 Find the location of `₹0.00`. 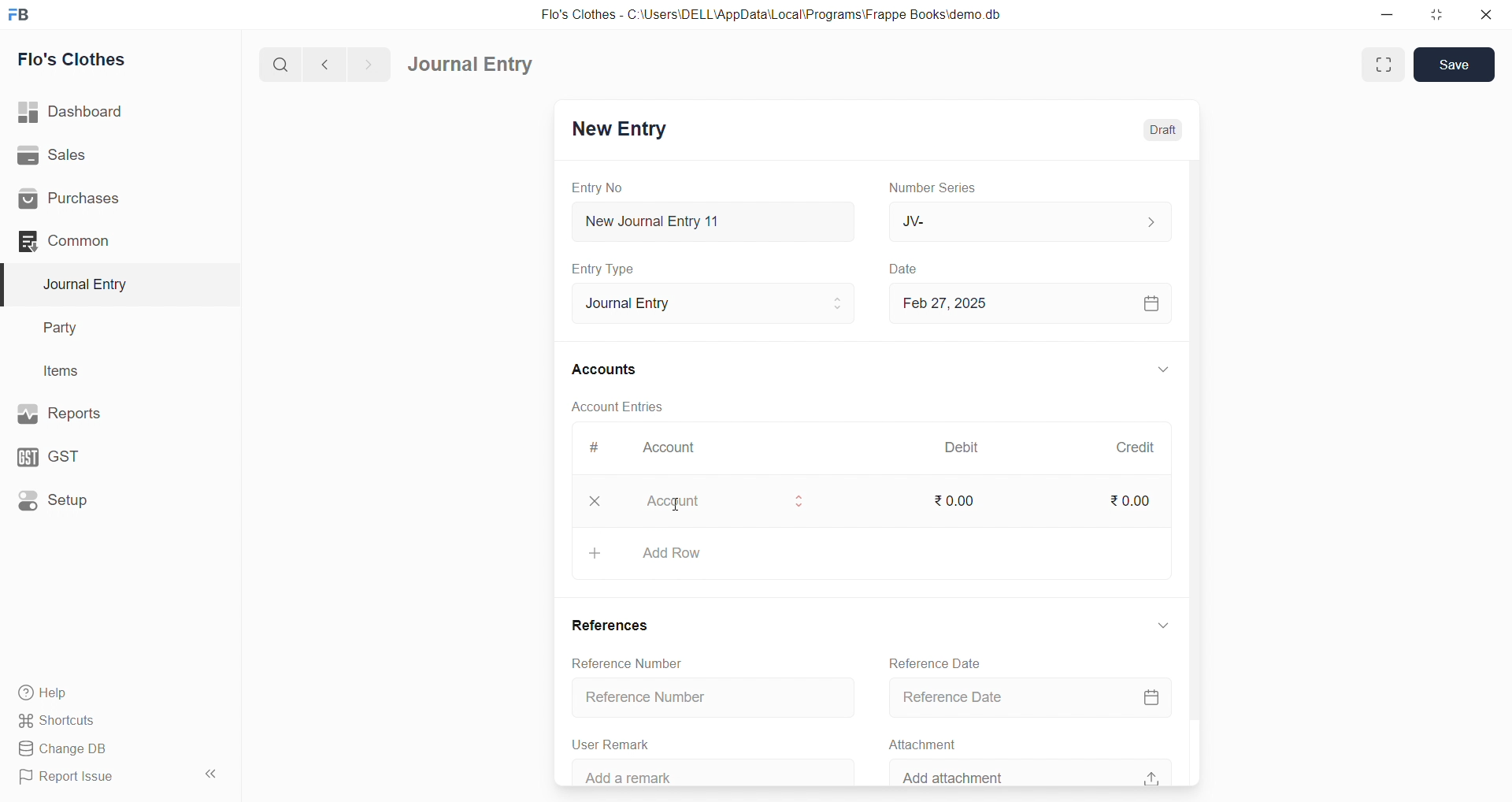

₹0.00 is located at coordinates (959, 503).